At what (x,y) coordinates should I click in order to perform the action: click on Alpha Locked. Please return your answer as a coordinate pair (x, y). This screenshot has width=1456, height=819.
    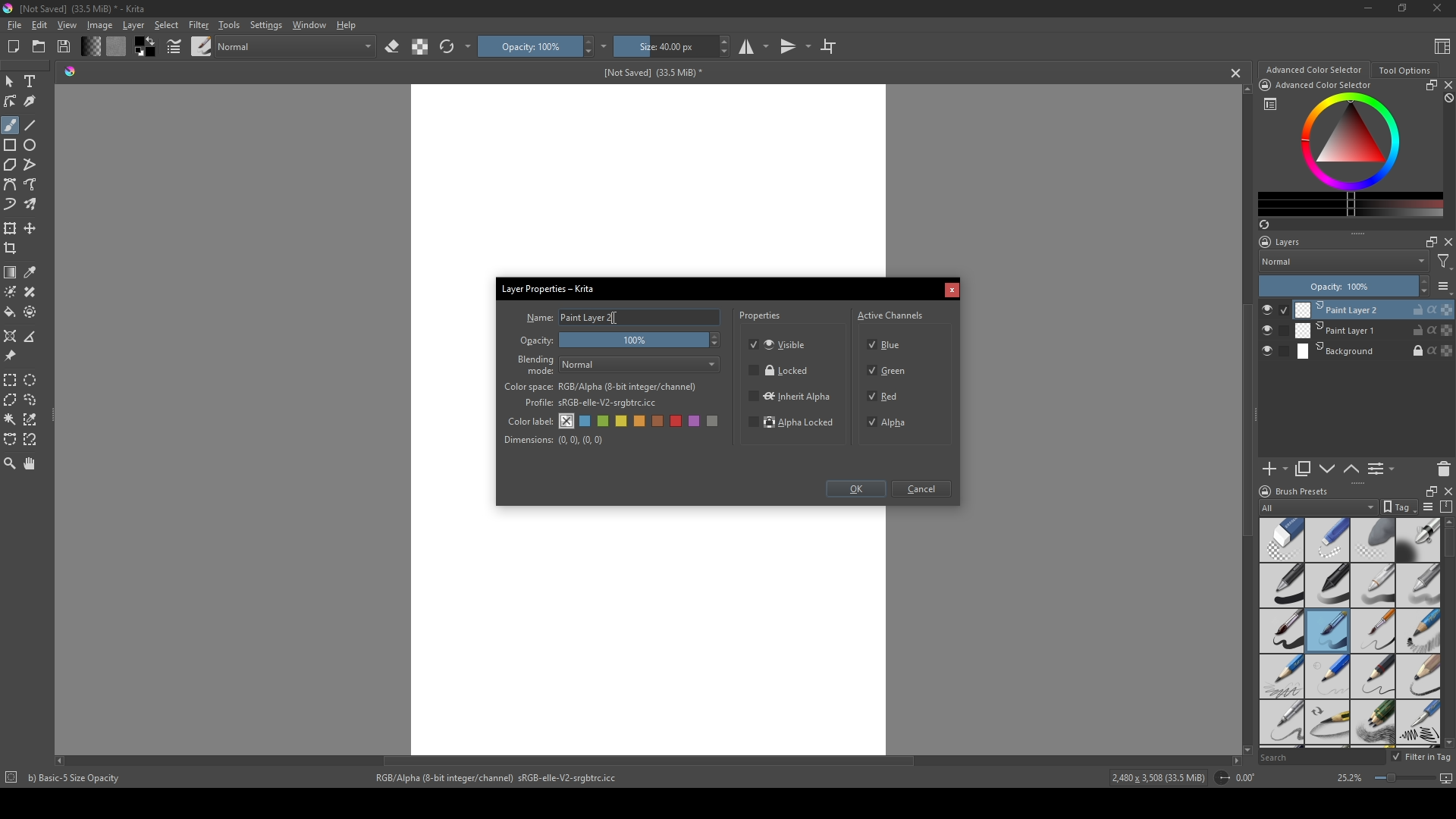
    Looking at the image, I should click on (792, 424).